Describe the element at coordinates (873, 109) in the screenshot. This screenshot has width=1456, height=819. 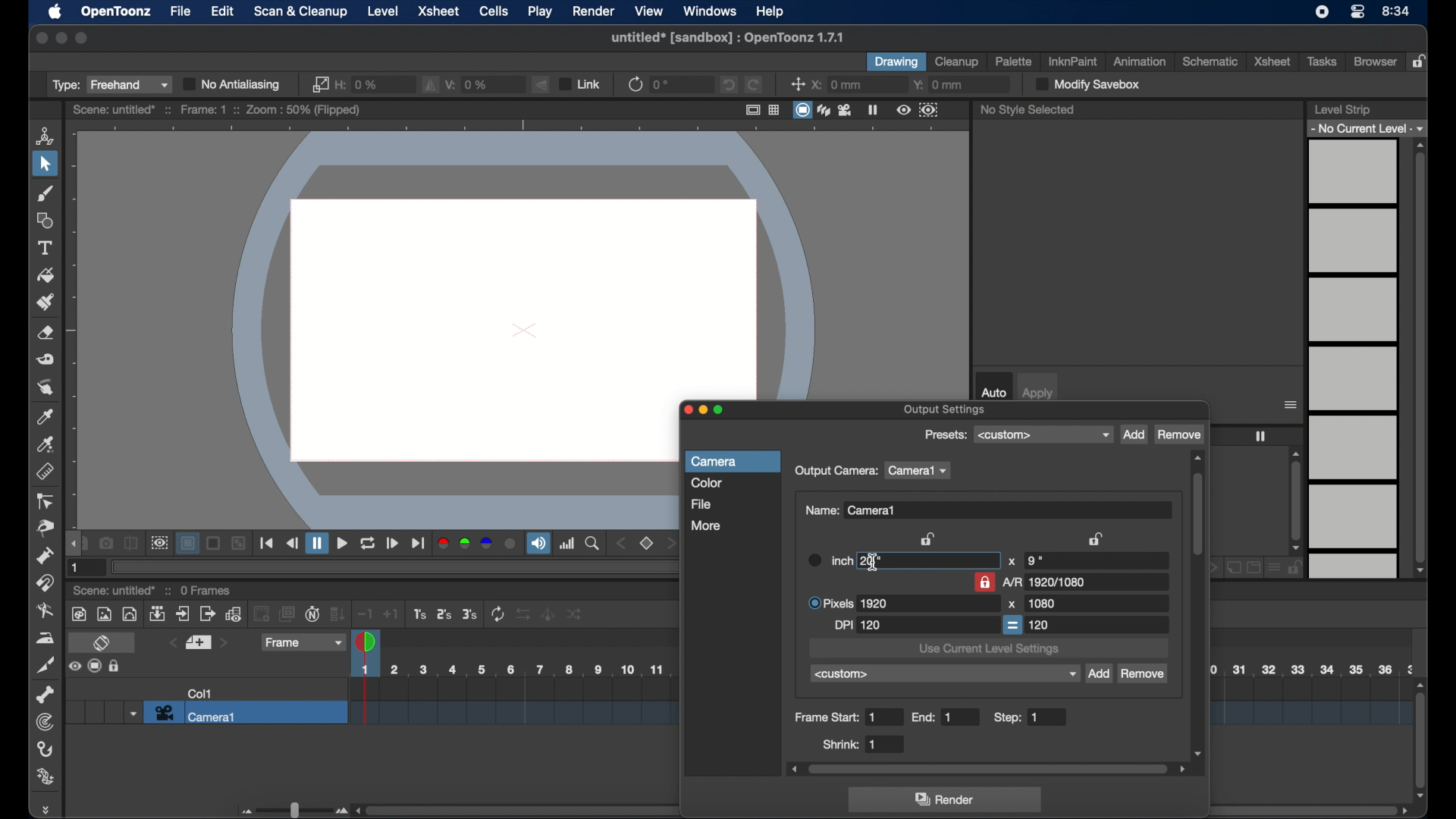
I see `freeze` at that location.